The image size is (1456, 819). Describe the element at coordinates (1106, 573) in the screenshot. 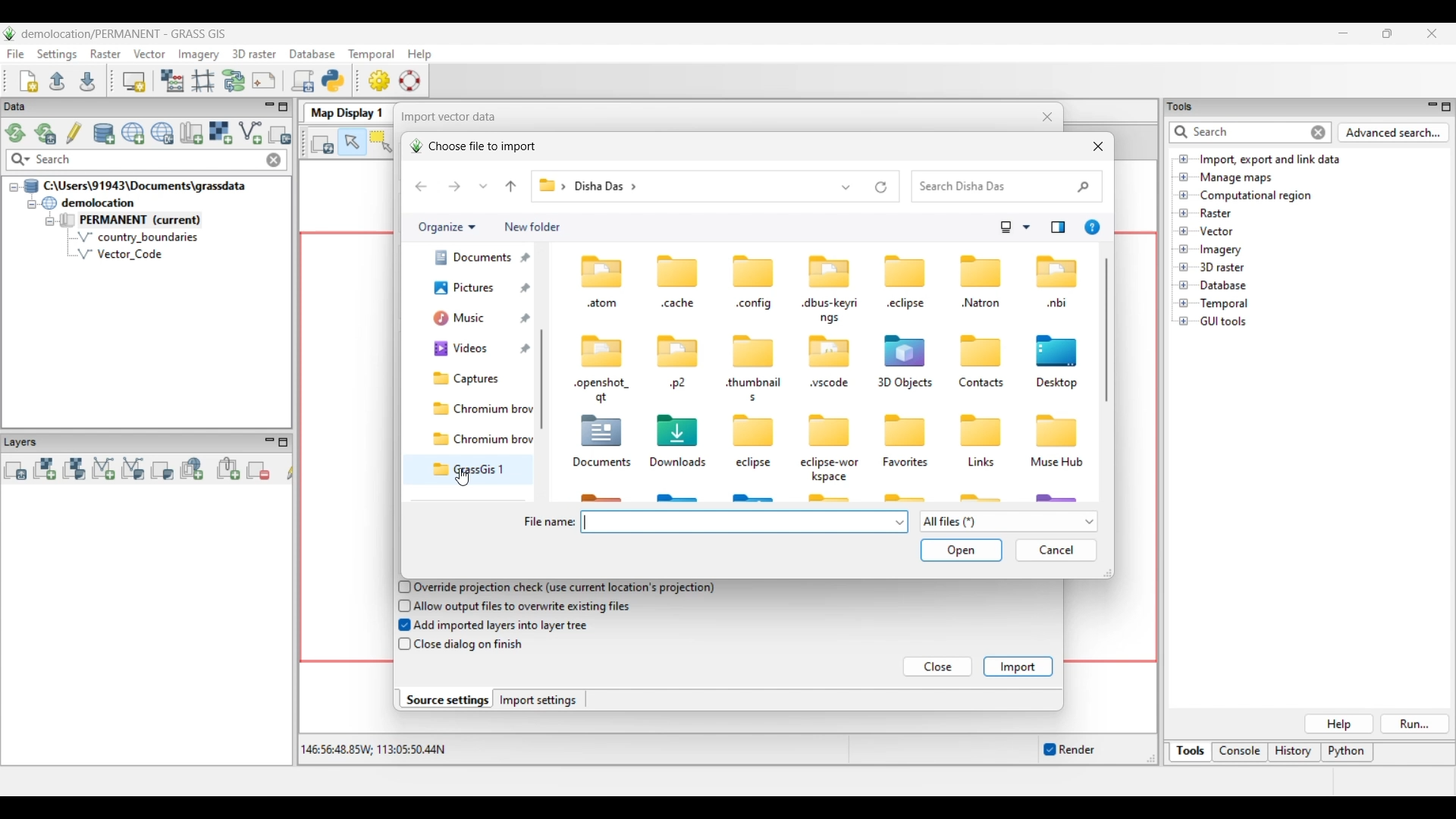

I see `Change width or height of current window` at that location.